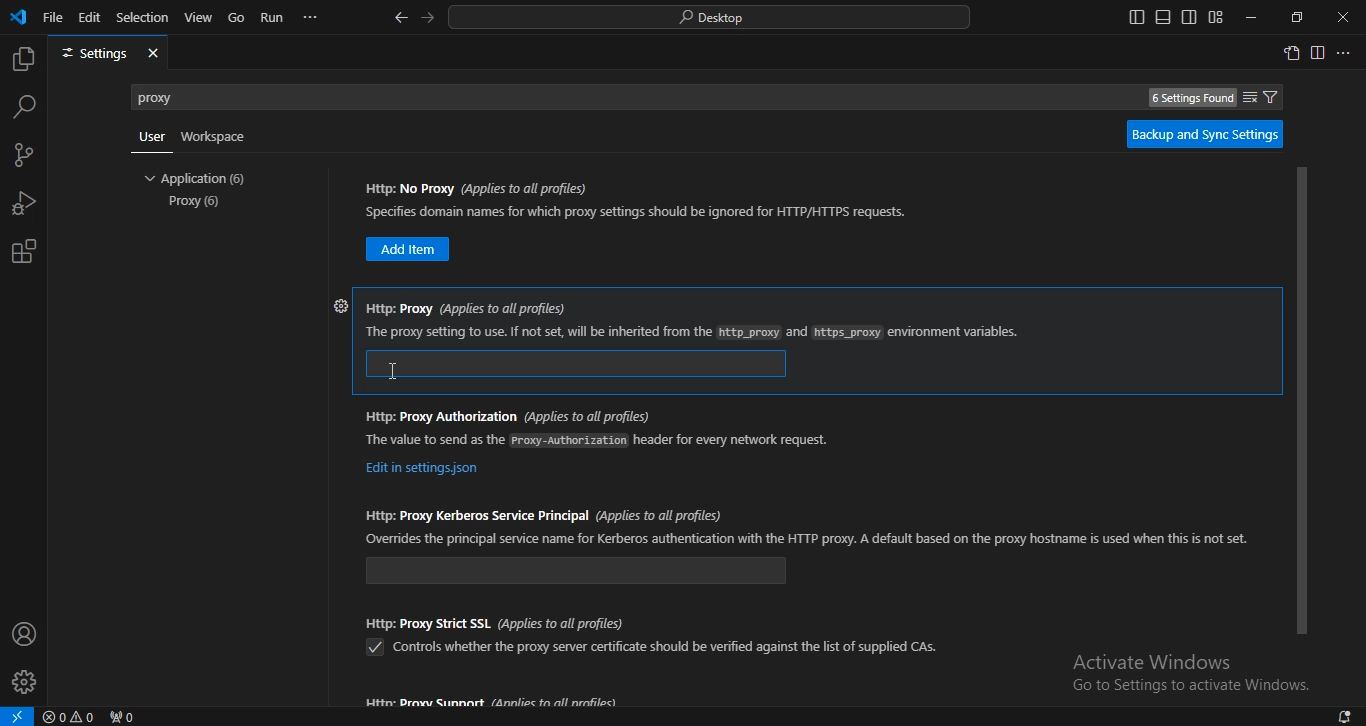  I want to click on icon, so click(20, 19).